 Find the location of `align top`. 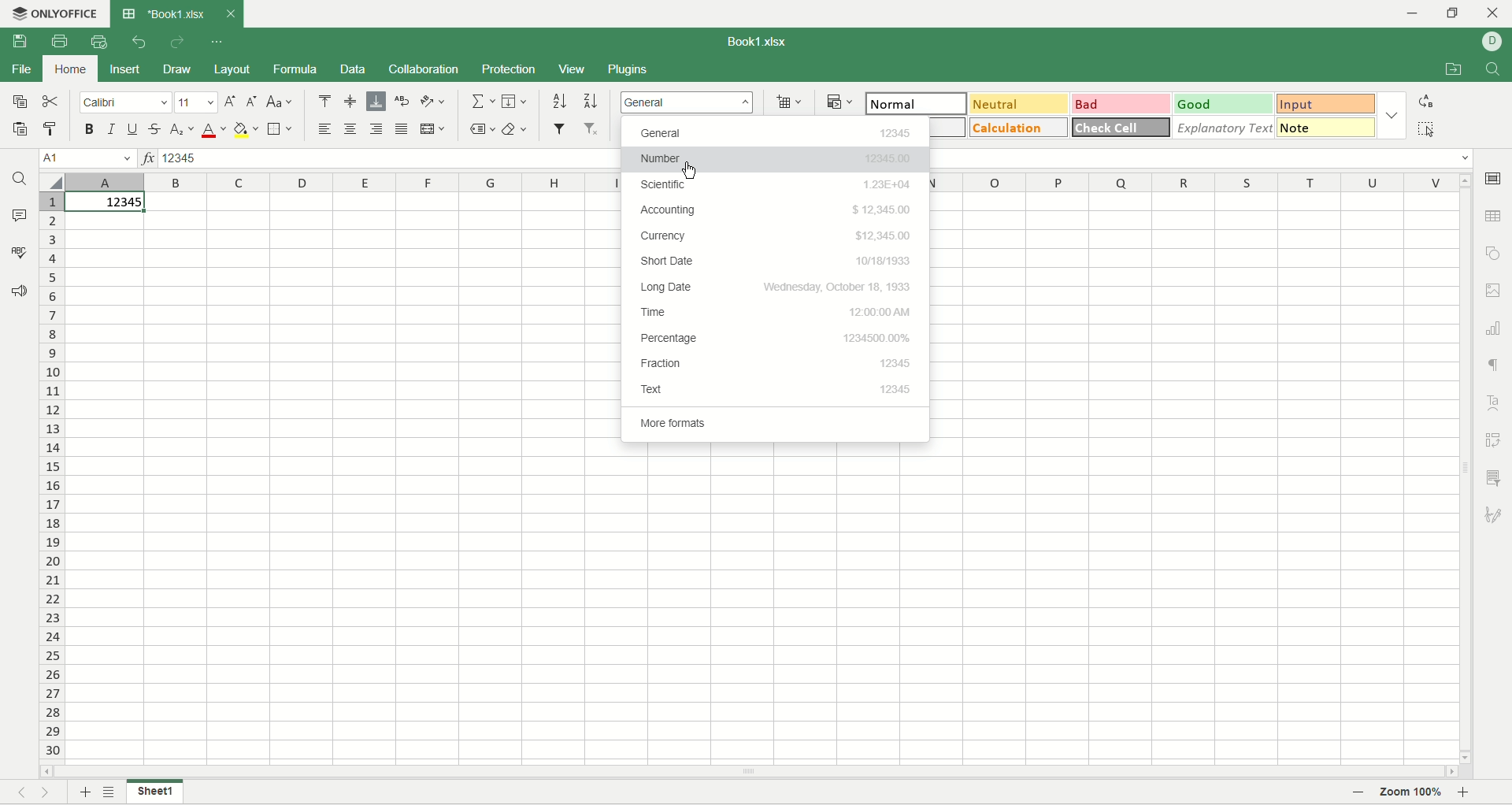

align top is located at coordinates (324, 102).